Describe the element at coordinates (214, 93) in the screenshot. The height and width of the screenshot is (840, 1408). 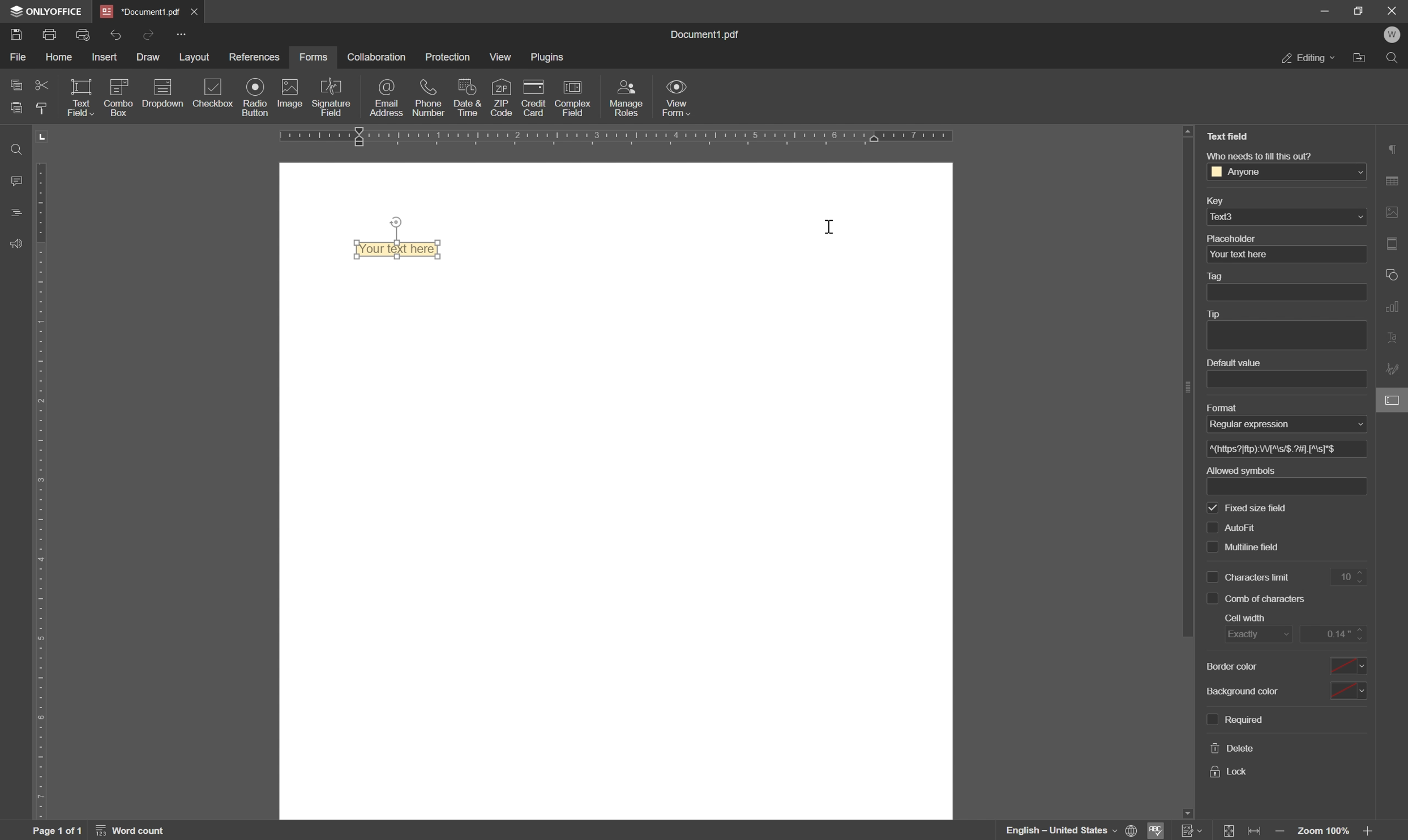
I see `checkbox` at that location.